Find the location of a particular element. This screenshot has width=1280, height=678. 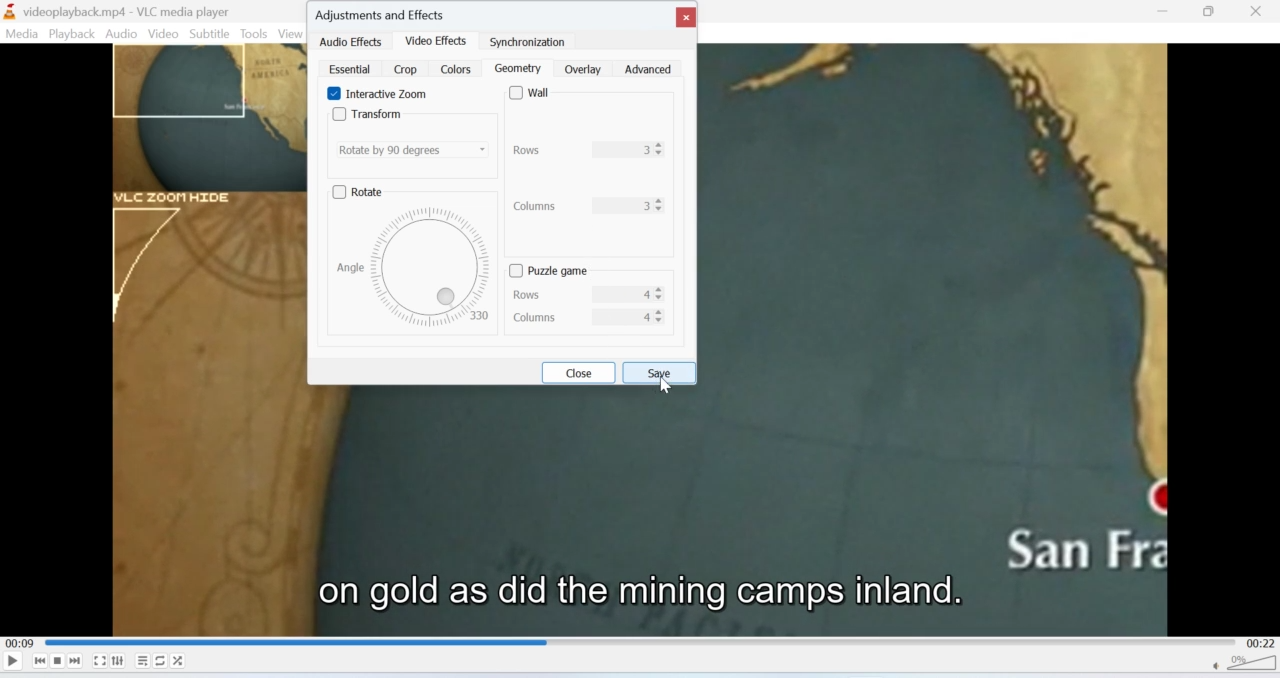

Adjustments and effects is located at coordinates (383, 12).